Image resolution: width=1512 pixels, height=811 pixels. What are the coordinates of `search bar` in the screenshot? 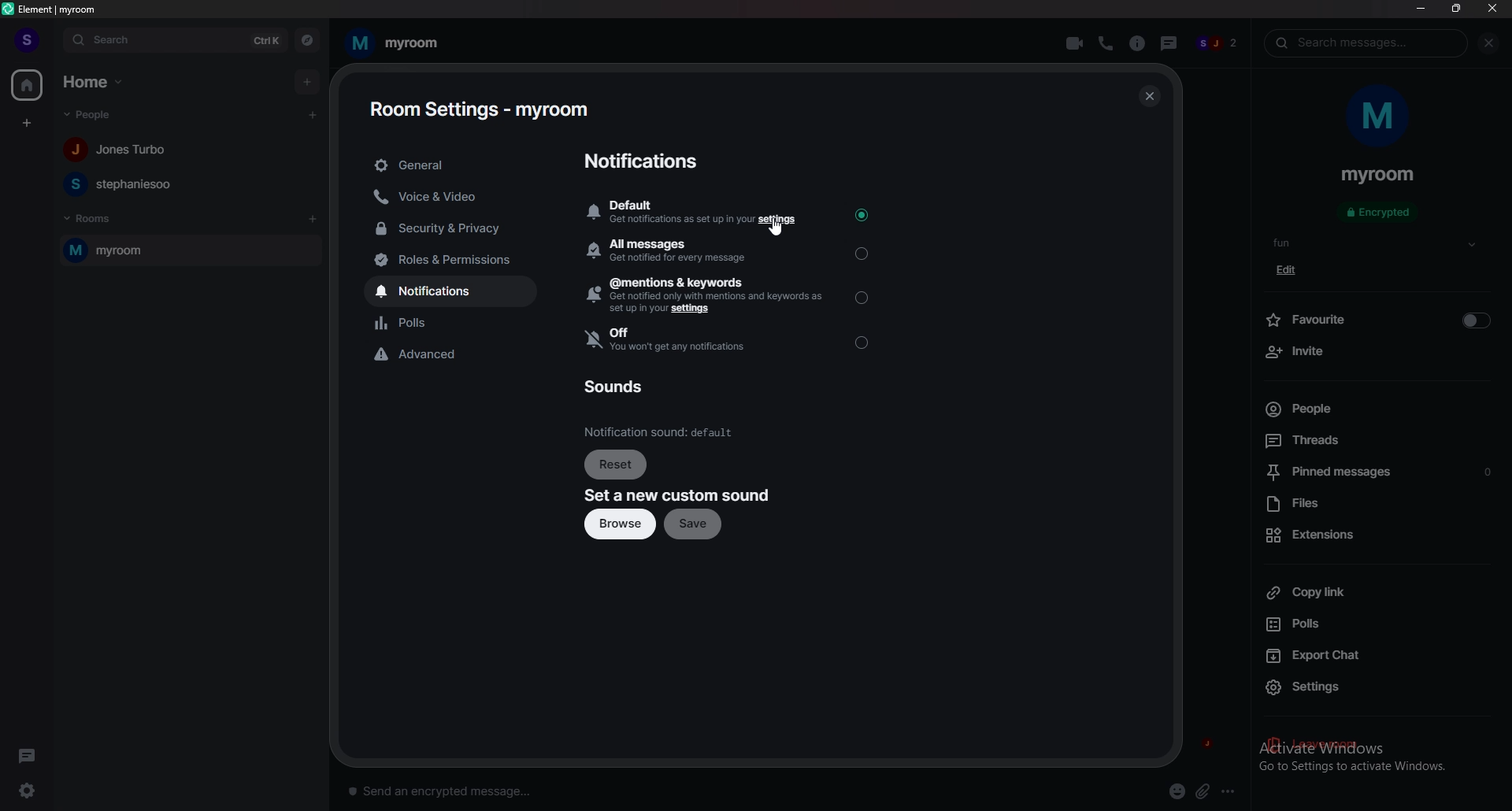 It's located at (176, 39).